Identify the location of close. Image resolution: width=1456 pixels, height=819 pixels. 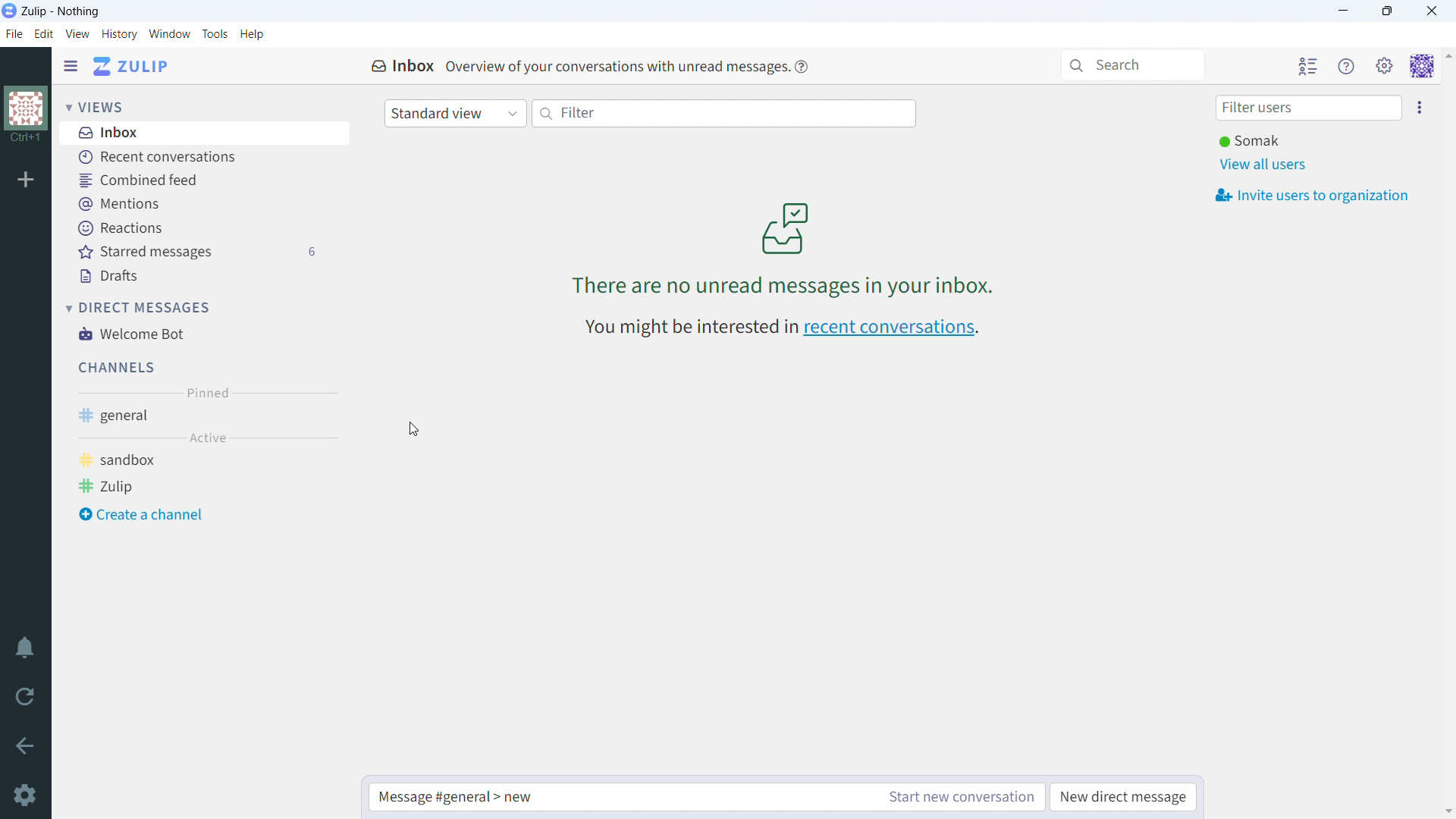
(1431, 11).